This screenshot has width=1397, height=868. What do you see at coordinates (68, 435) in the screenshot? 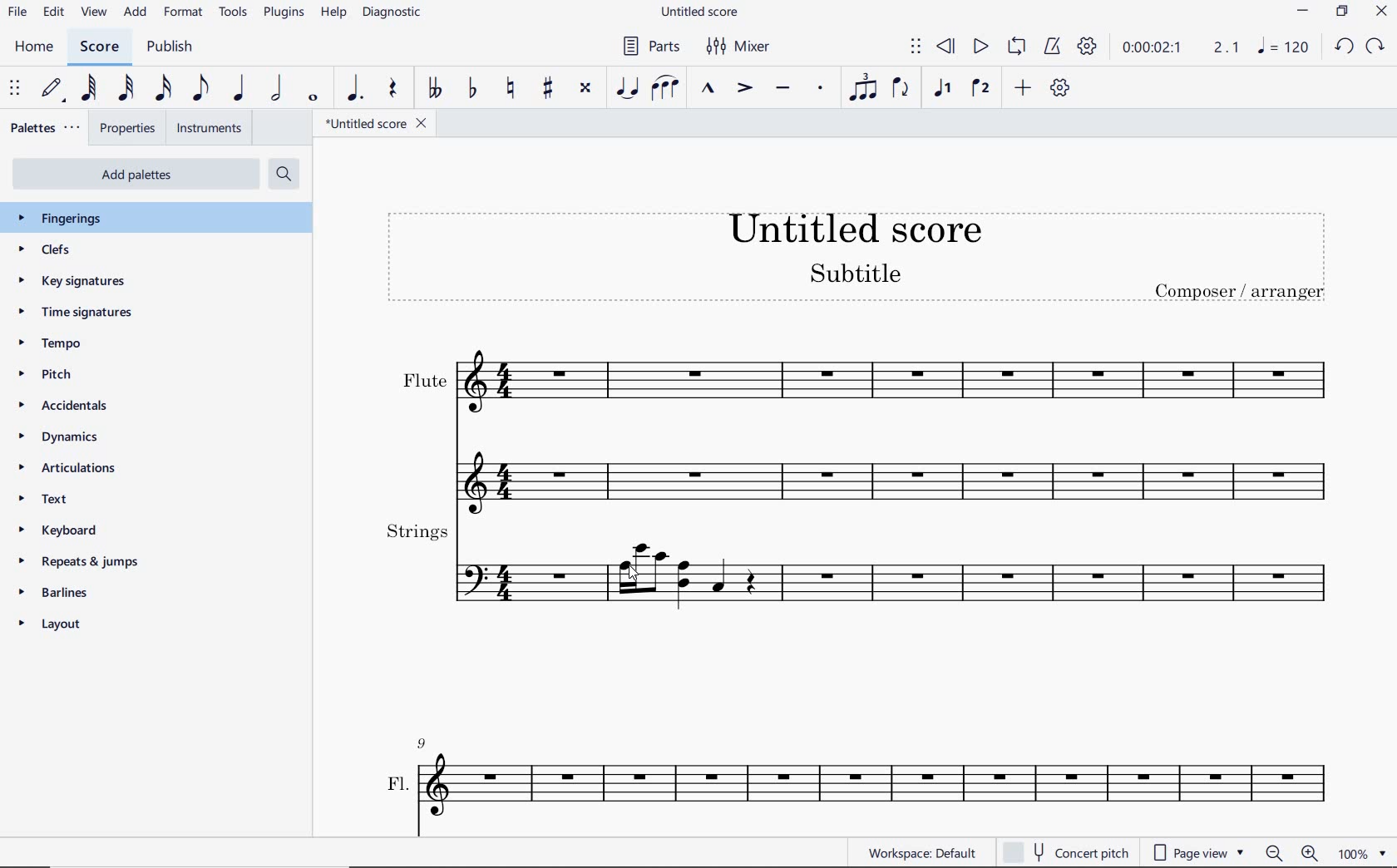
I see `dynamics` at bounding box center [68, 435].